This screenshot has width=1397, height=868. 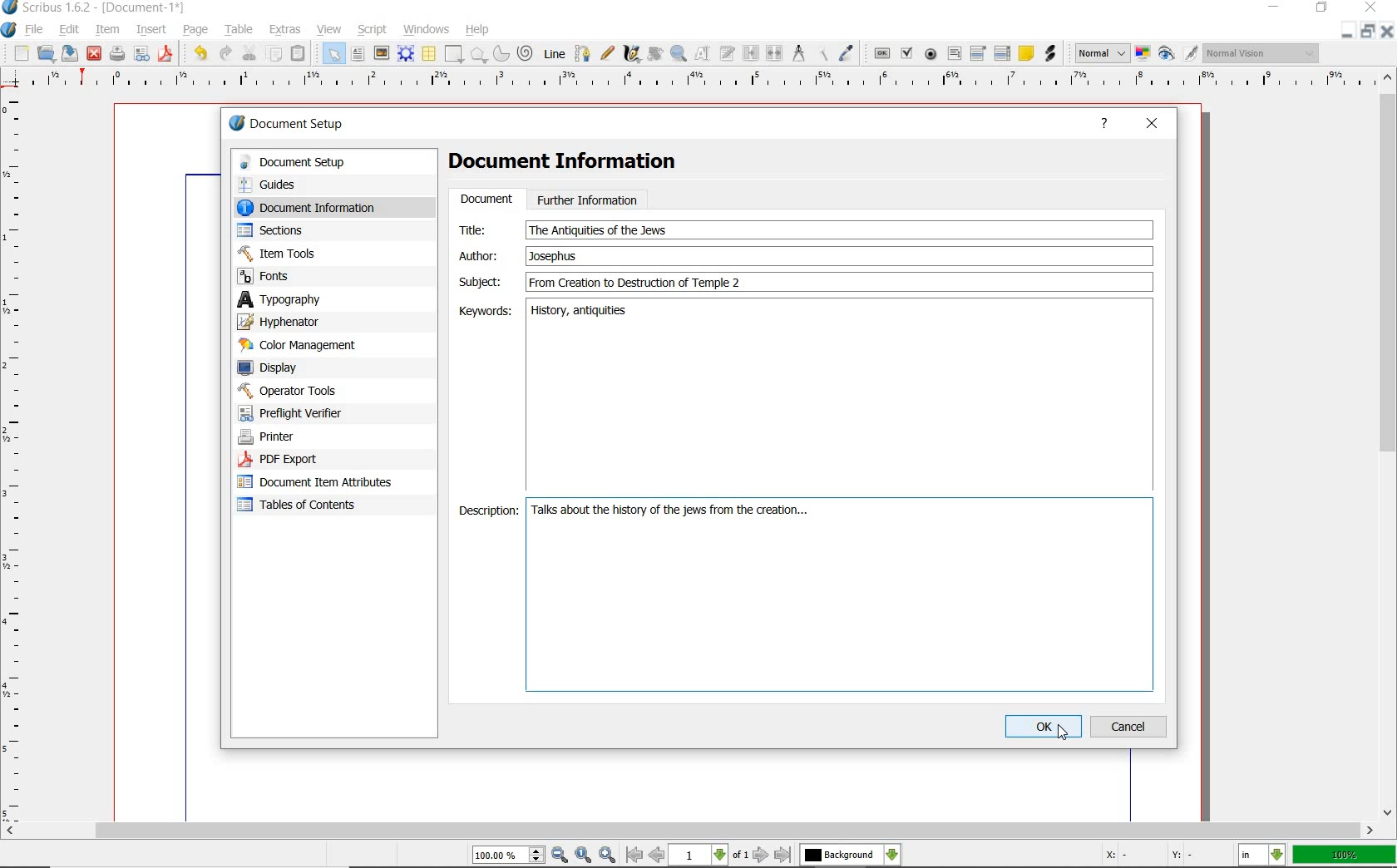 What do you see at coordinates (554, 54) in the screenshot?
I see `Line` at bounding box center [554, 54].